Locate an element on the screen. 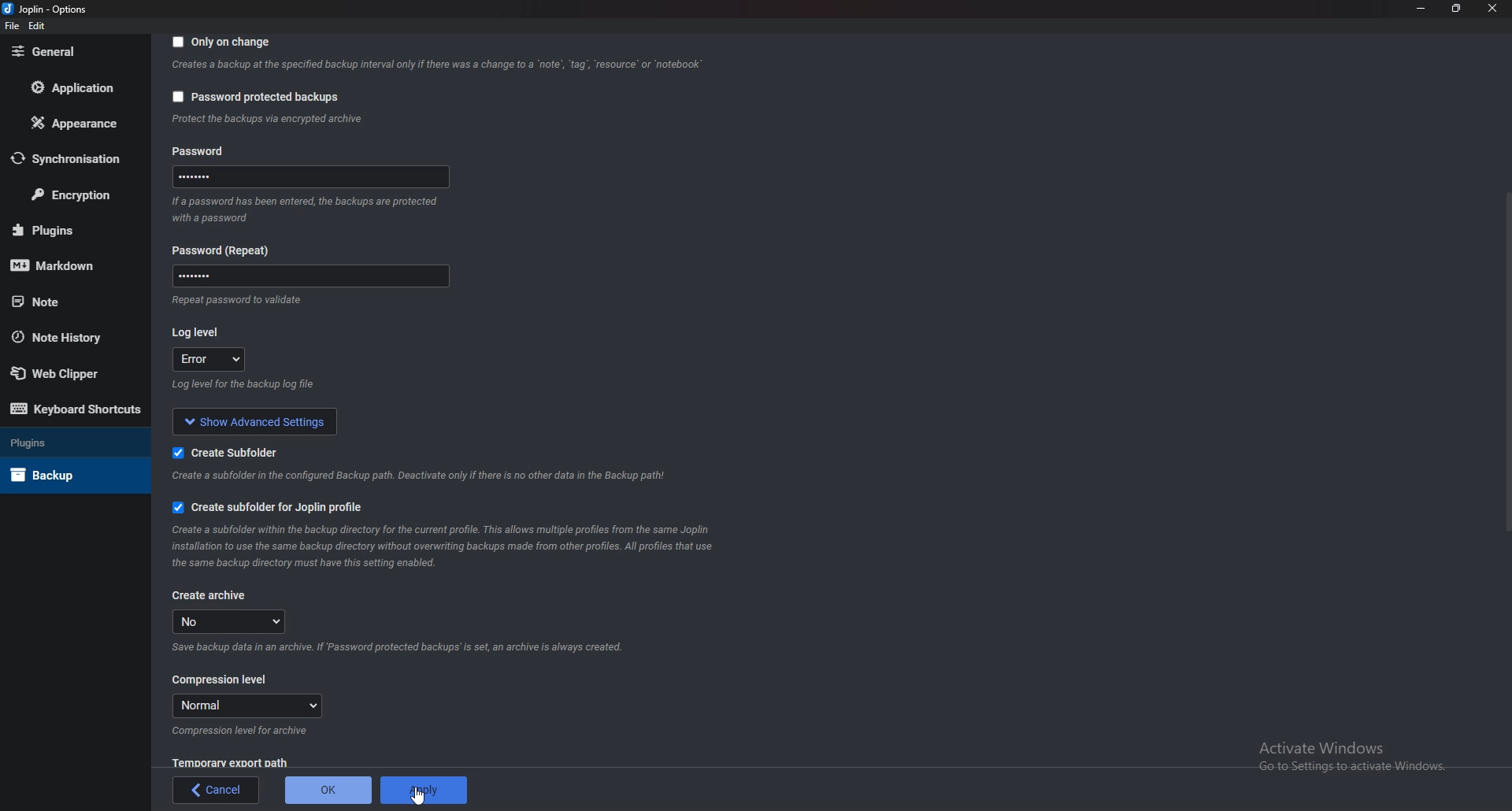 The image size is (1512, 811). Application is located at coordinates (69, 87).